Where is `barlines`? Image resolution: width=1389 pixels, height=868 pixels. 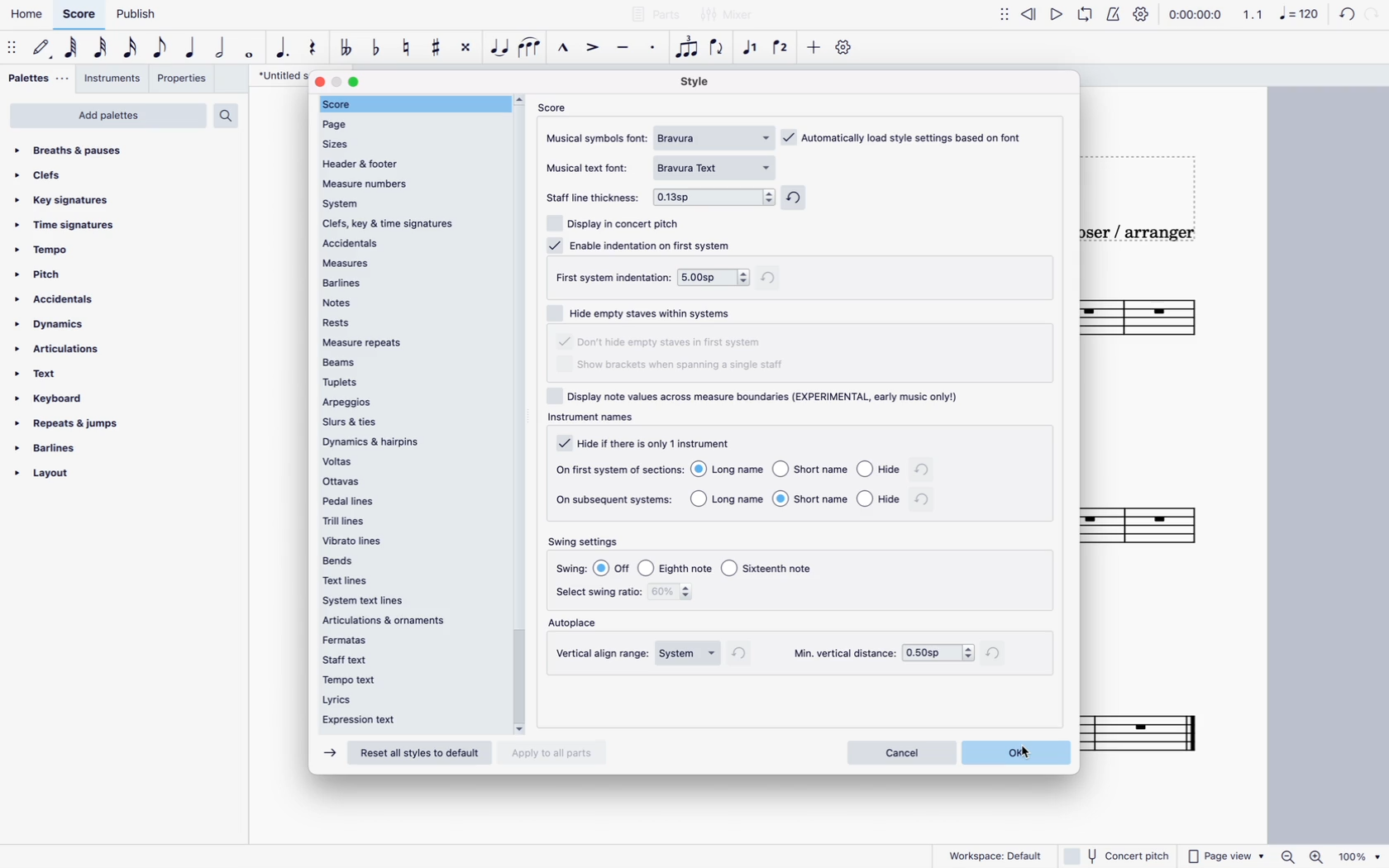
barlines is located at coordinates (410, 283).